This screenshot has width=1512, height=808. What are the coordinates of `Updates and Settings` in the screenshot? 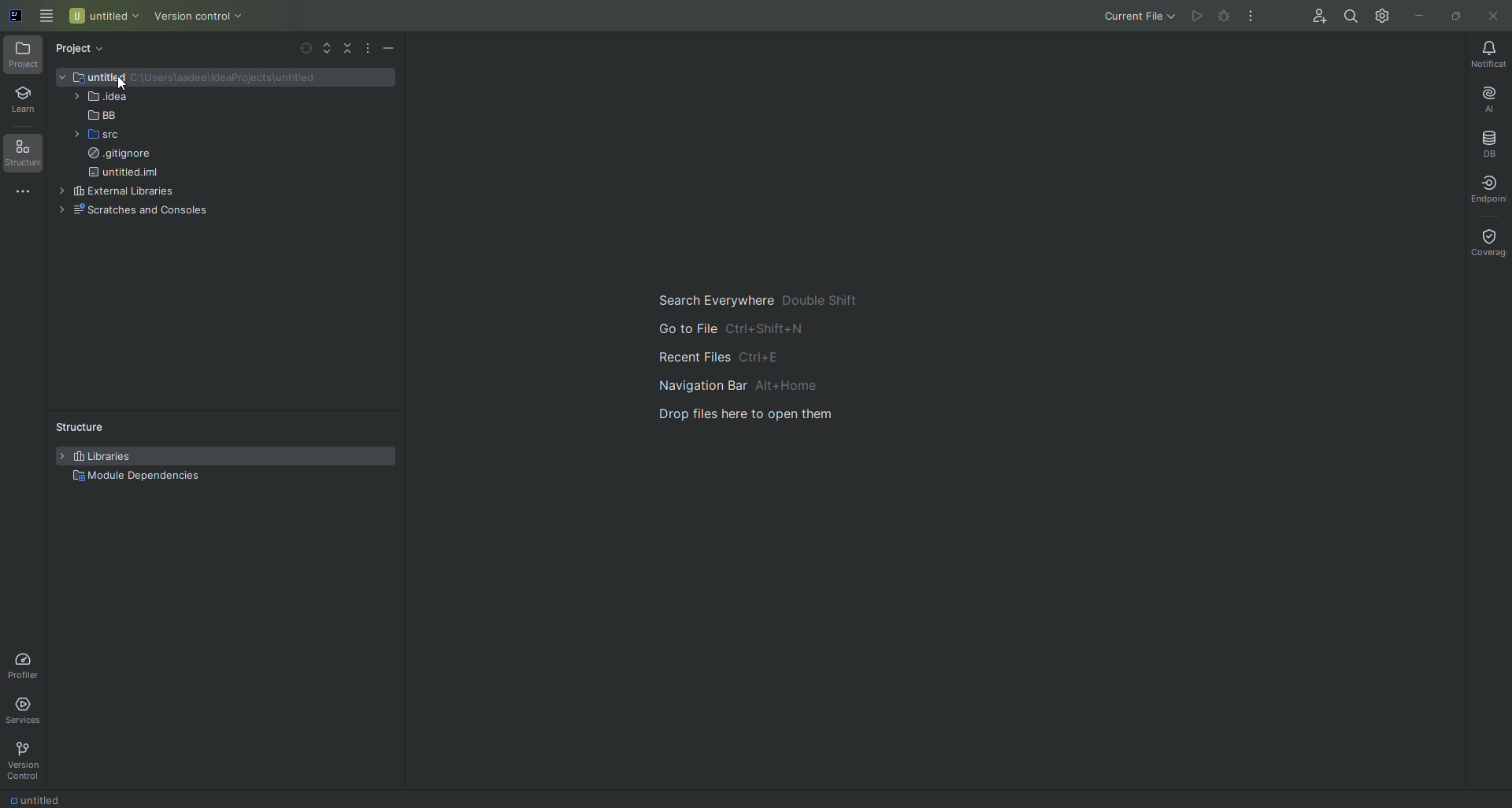 It's located at (1381, 17).